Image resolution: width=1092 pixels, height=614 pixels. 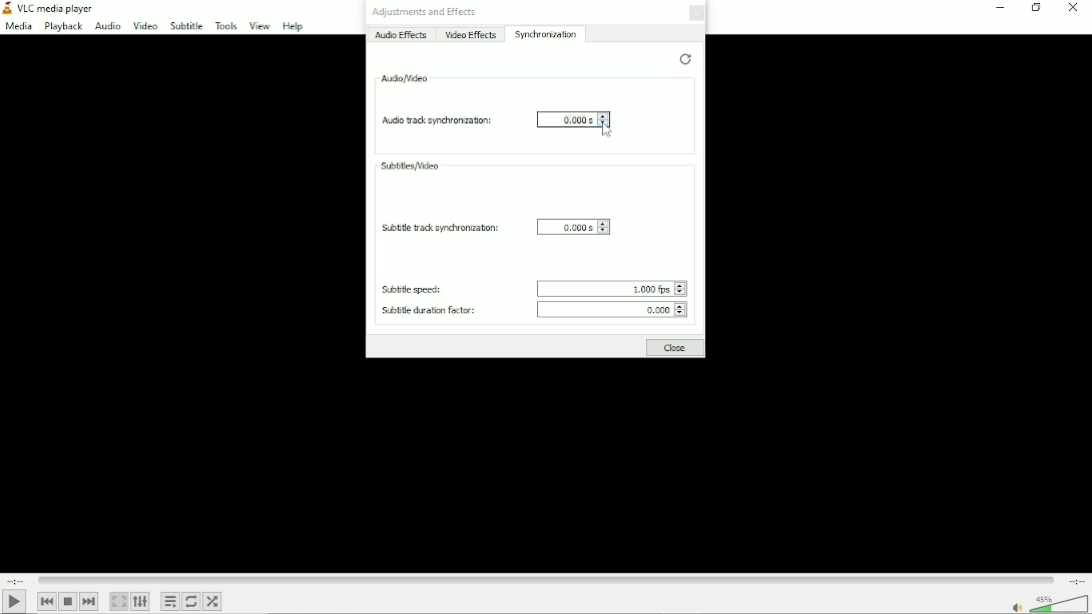 I want to click on Toggle playlist, so click(x=169, y=600).